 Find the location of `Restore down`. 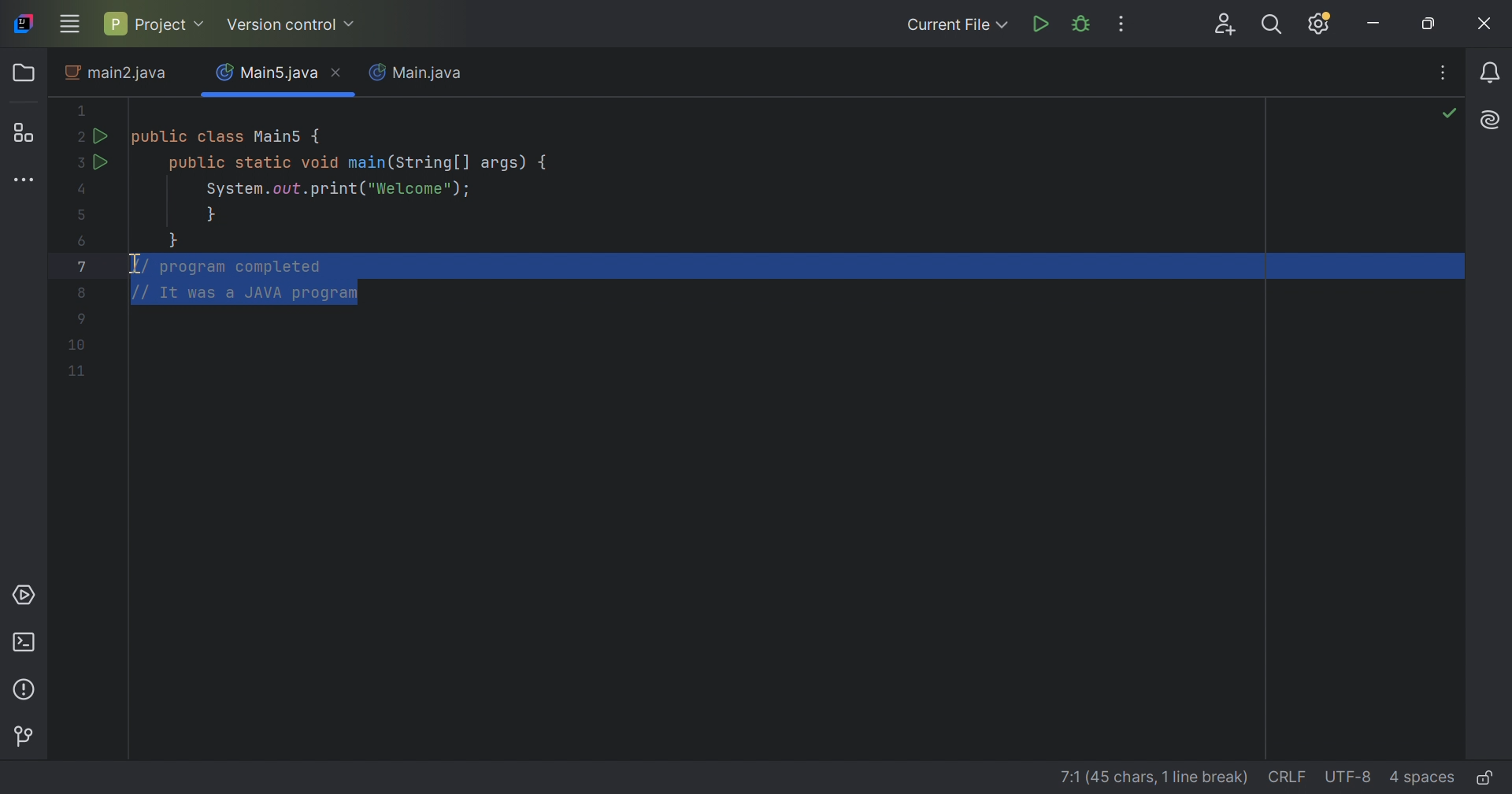

Restore down is located at coordinates (1432, 25).